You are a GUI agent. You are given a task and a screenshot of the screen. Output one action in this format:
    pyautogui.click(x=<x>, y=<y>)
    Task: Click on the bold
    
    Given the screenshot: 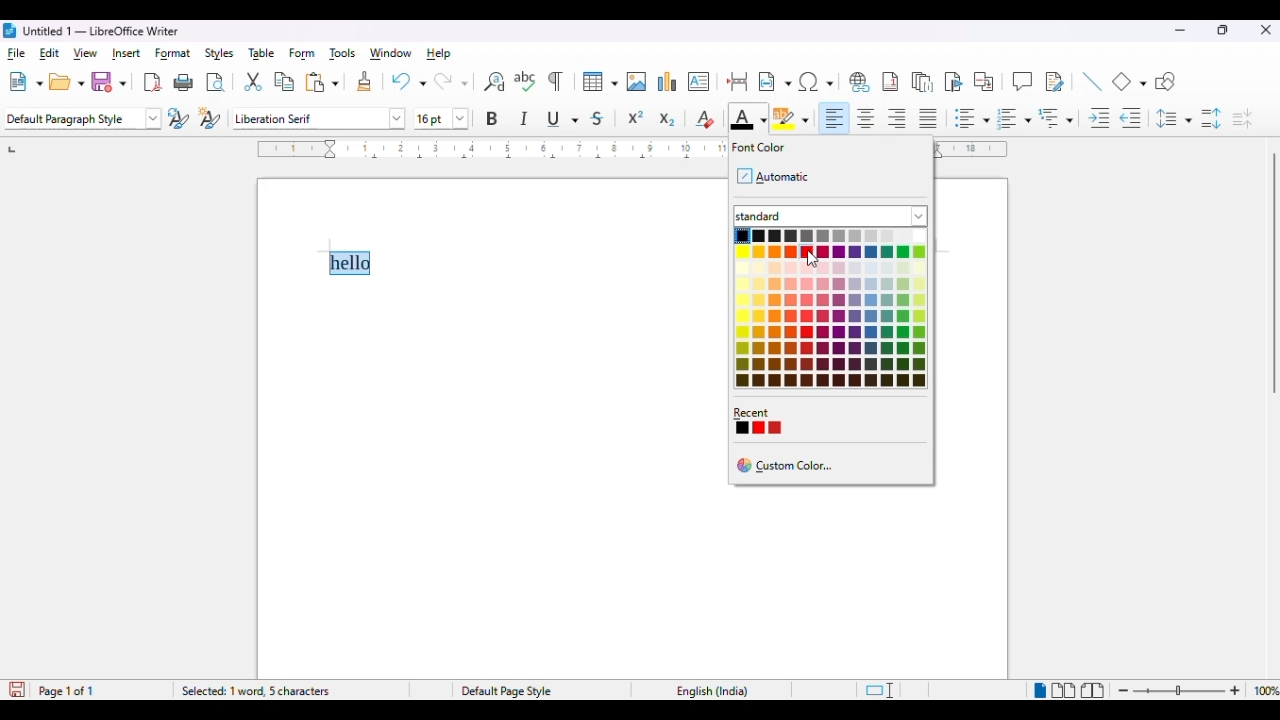 What is the action you would take?
    pyautogui.click(x=493, y=118)
    